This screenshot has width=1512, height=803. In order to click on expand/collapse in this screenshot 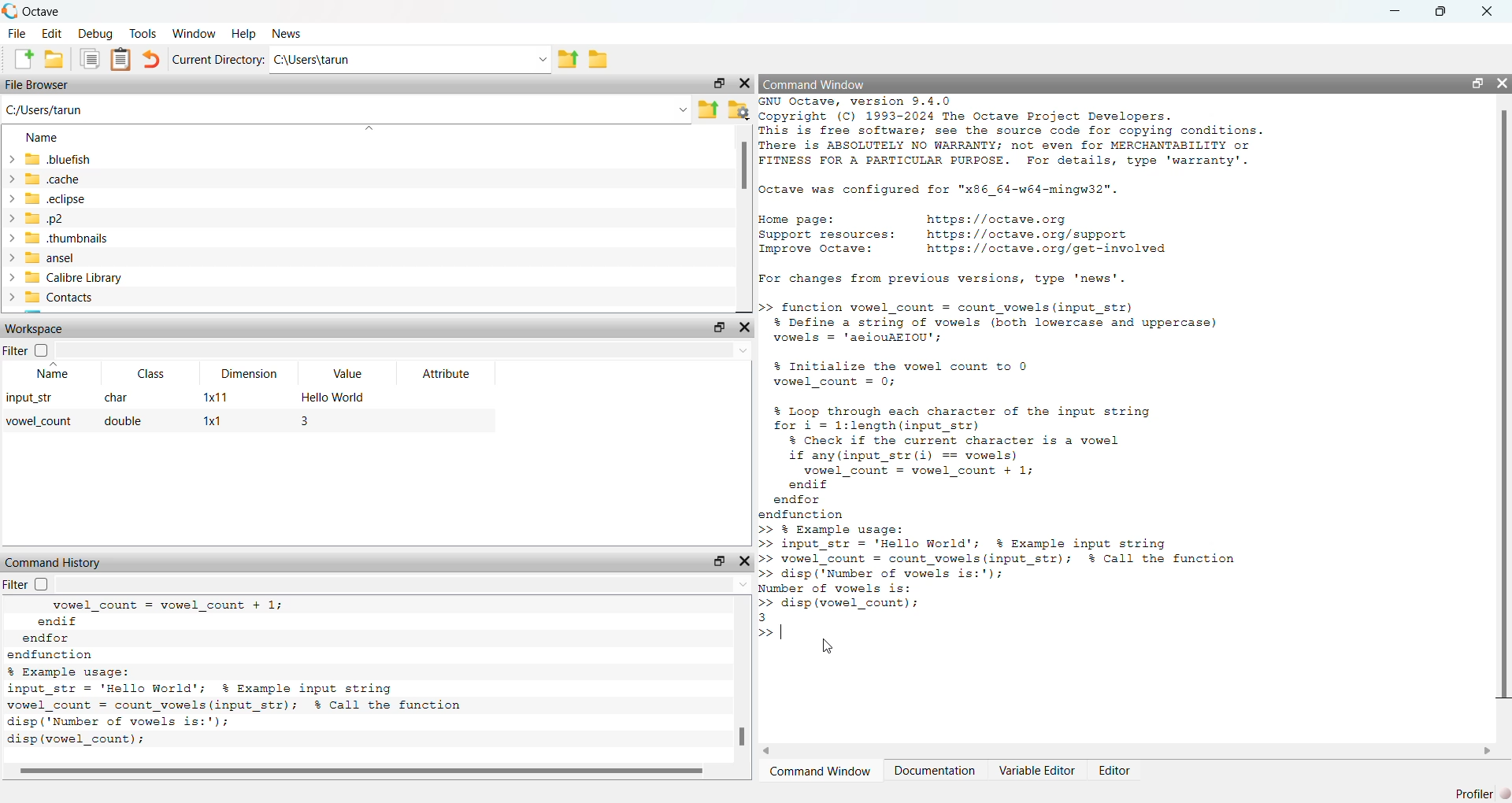, I will do `click(10, 178)`.